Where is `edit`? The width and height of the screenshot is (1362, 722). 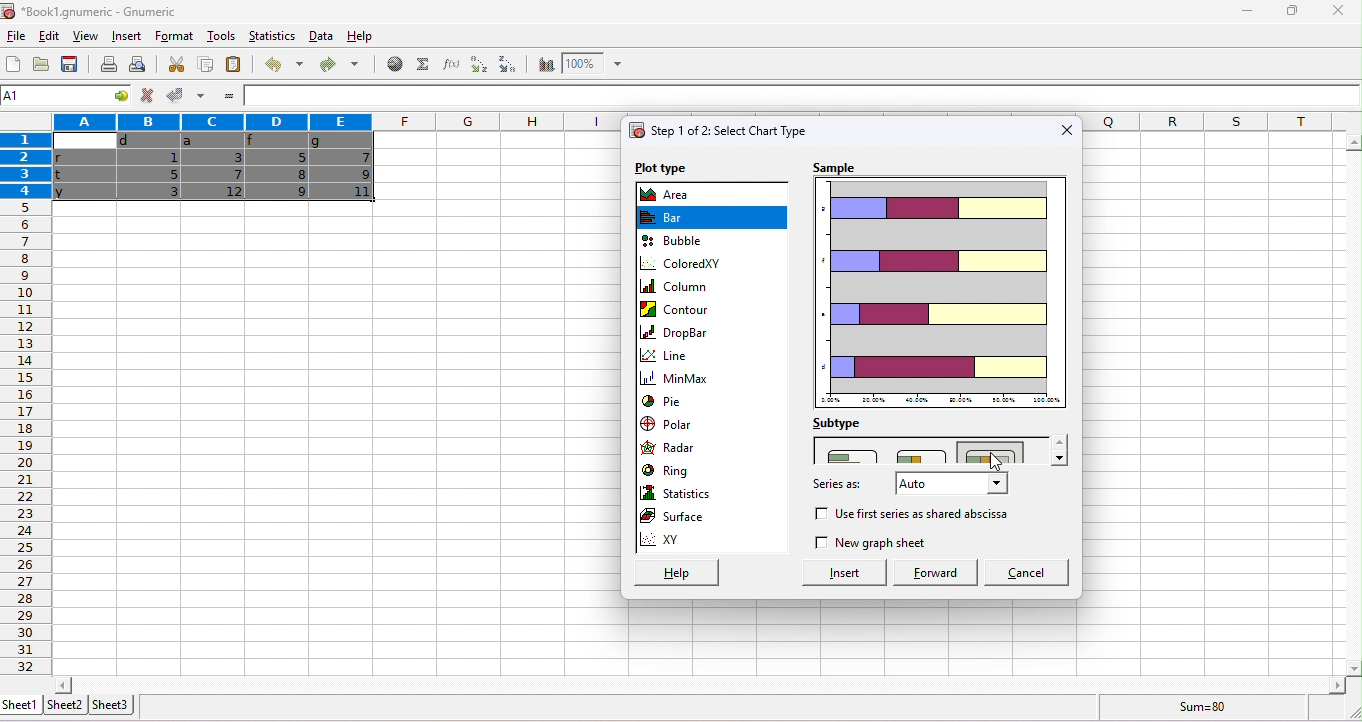 edit is located at coordinates (51, 37).